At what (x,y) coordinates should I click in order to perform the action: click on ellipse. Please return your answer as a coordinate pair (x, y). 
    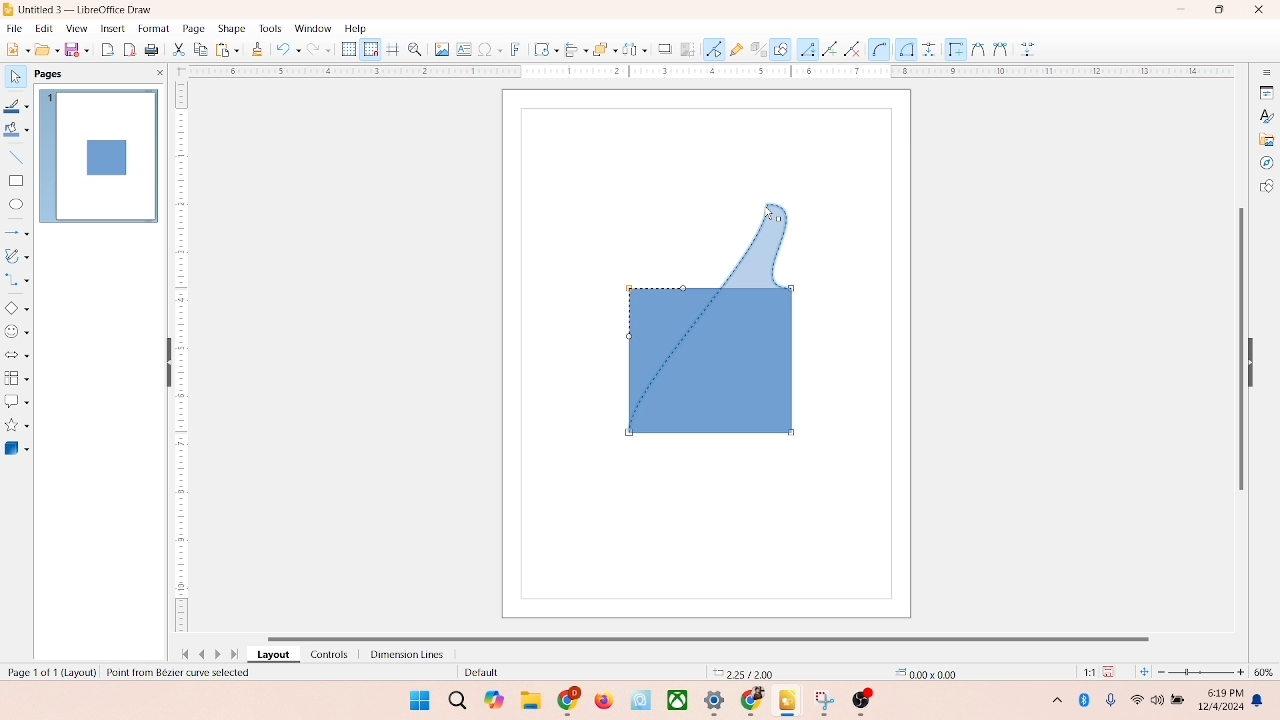
    Looking at the image, I should click on (16, 205).